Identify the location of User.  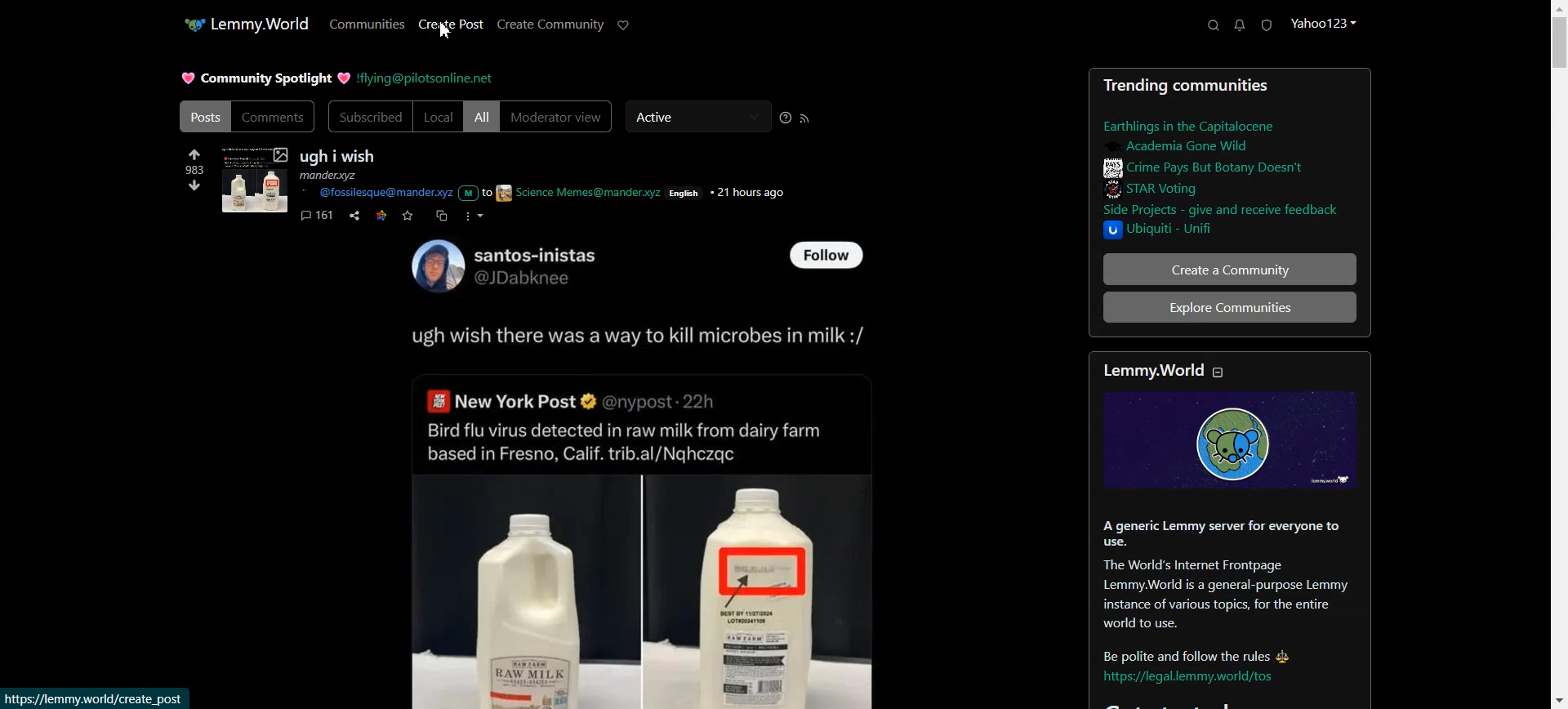
(506, 267).